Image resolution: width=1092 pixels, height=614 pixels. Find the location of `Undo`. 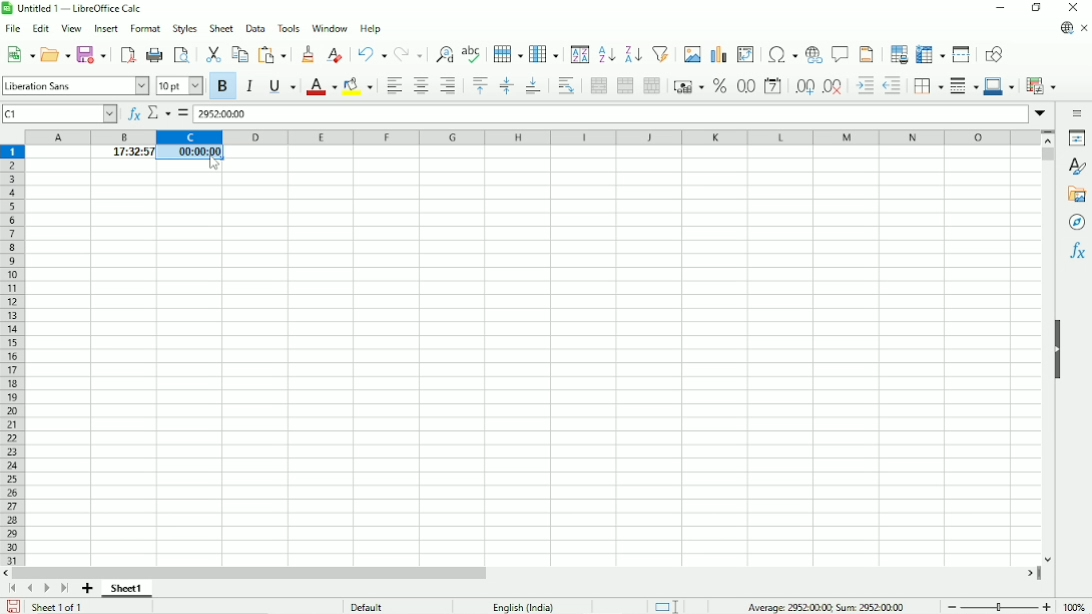

Undo is located at coordinates (371, 54).